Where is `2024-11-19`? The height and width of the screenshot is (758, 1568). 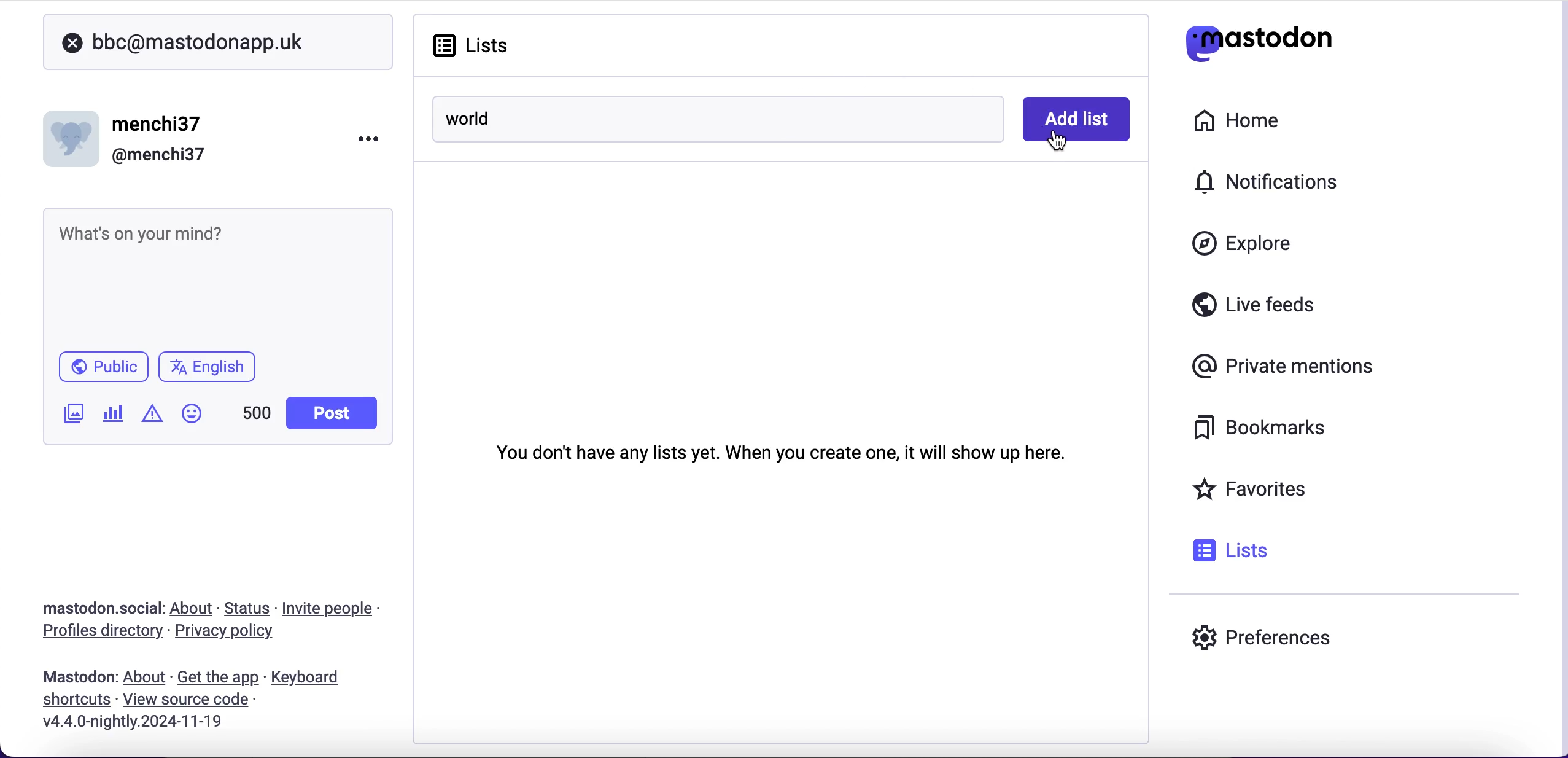
2024-11-19 is located at coordinates (142, 721).